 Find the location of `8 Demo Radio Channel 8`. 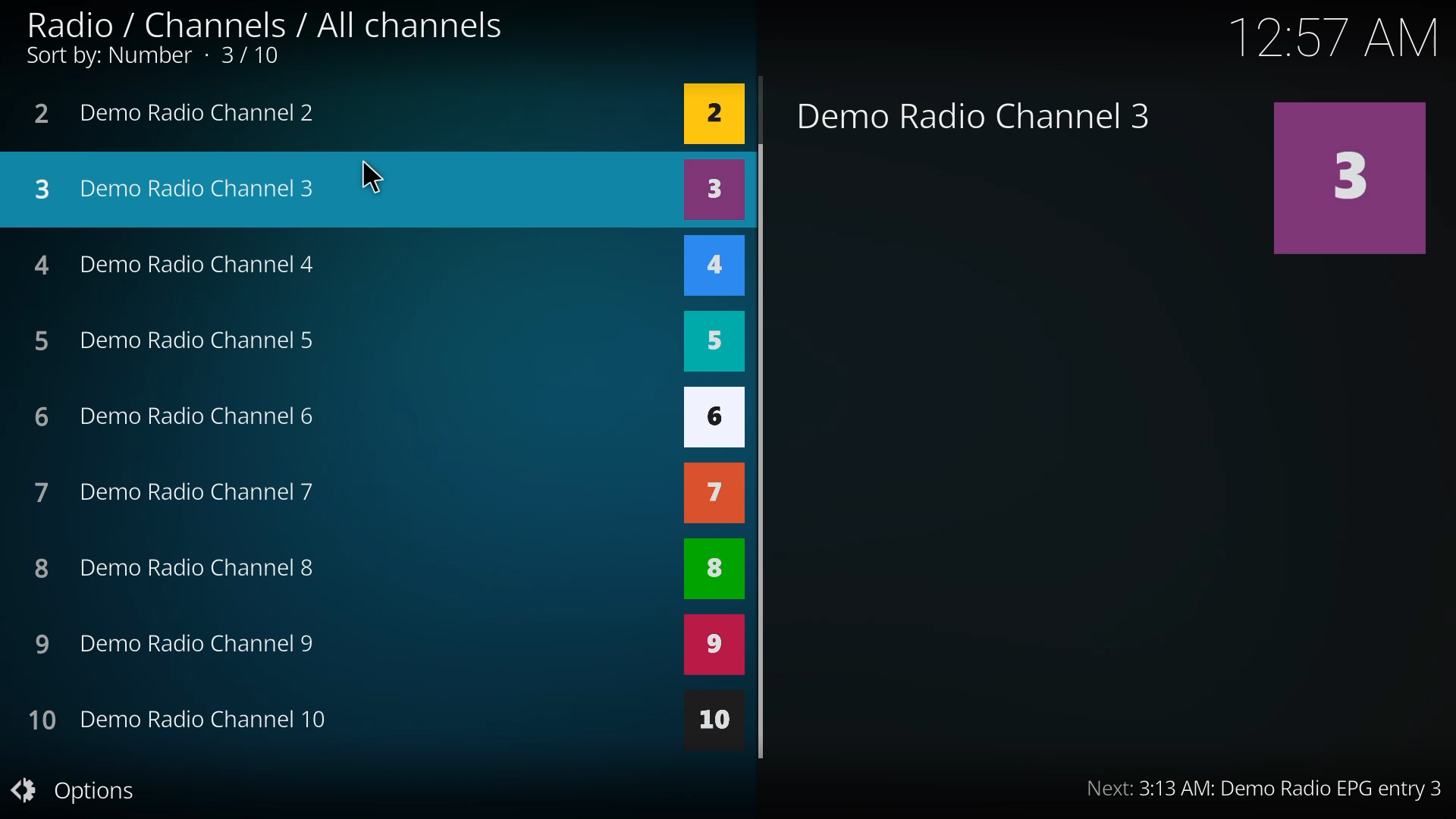

8 Demo Radio Channel 8 is located at coordinates (177, 569).